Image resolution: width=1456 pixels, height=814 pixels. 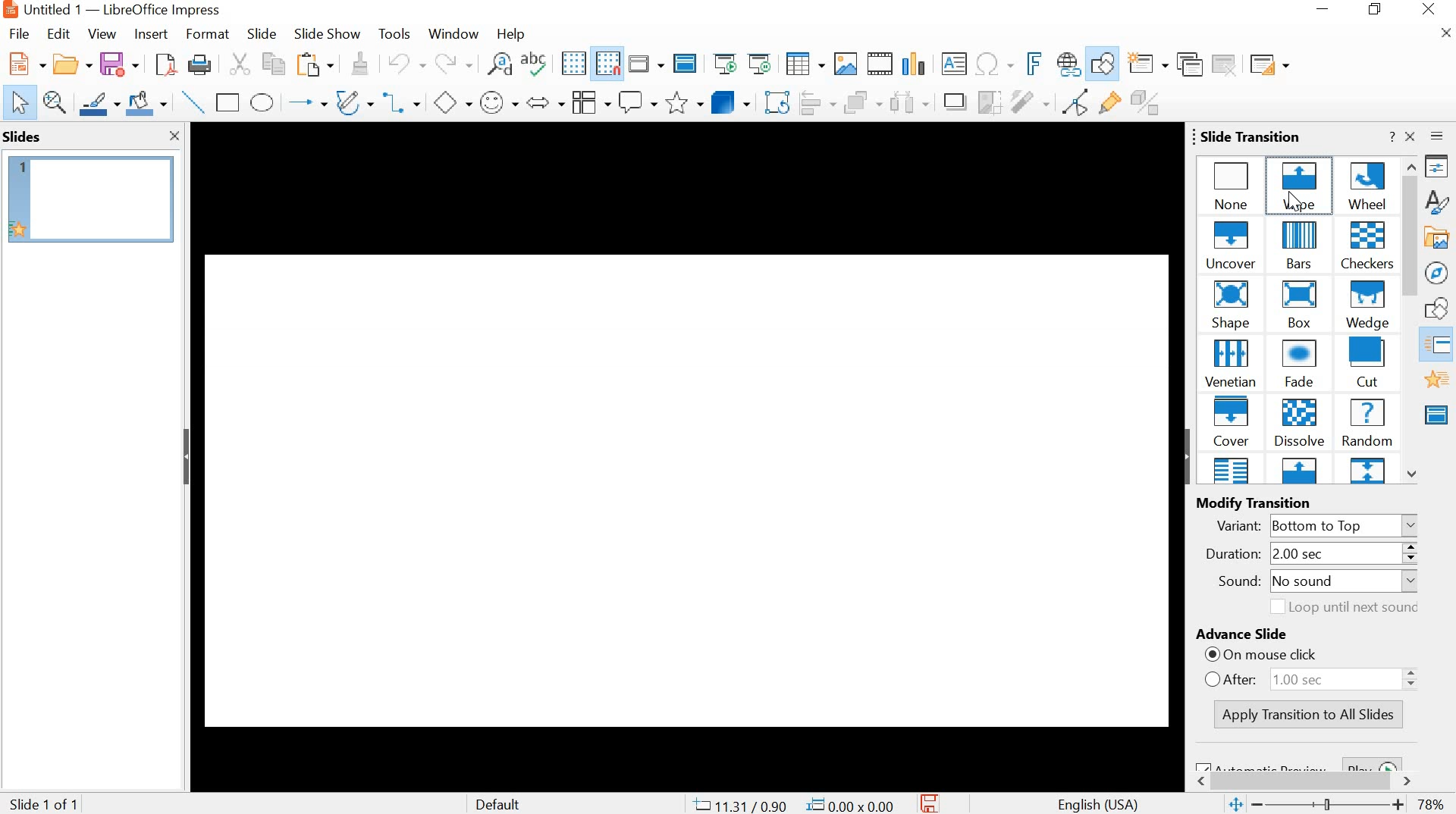 What do you see at coordinates (683, 104) in the screenshot?
I see `Stars and banners` at bounding box center [683, 104].